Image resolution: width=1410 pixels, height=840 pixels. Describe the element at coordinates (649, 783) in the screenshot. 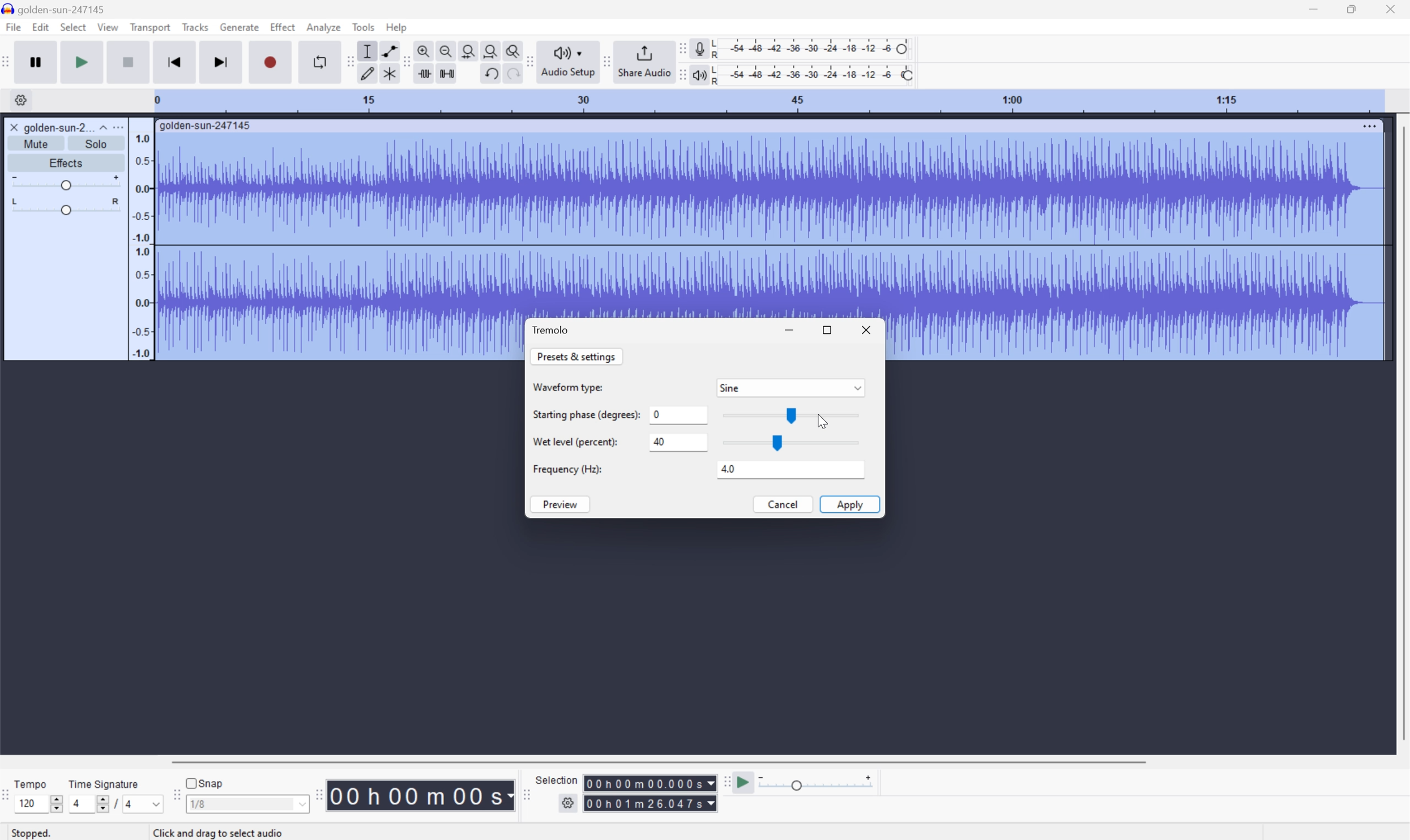

I see `Selection` at that location.